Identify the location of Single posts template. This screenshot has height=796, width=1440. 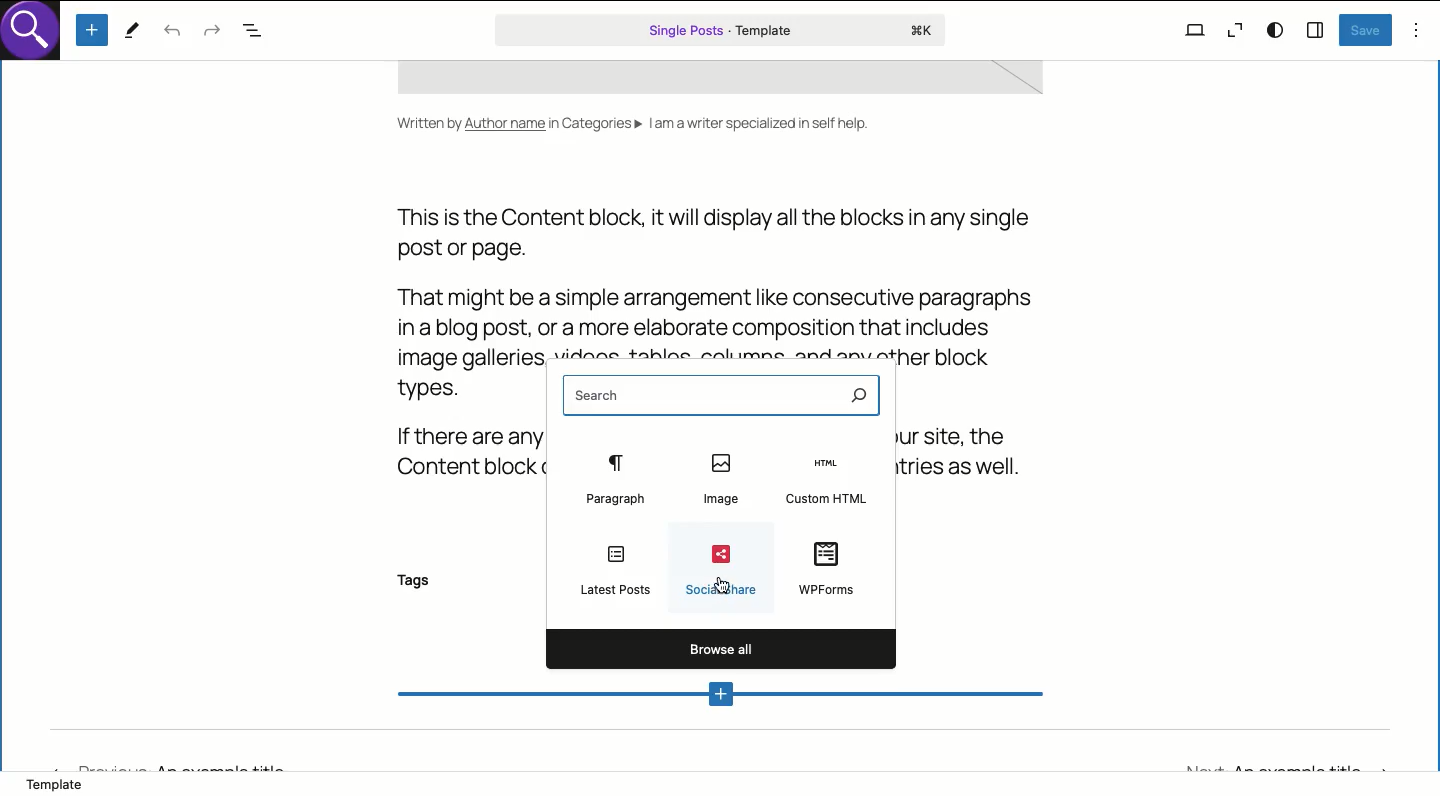
(722, 30).